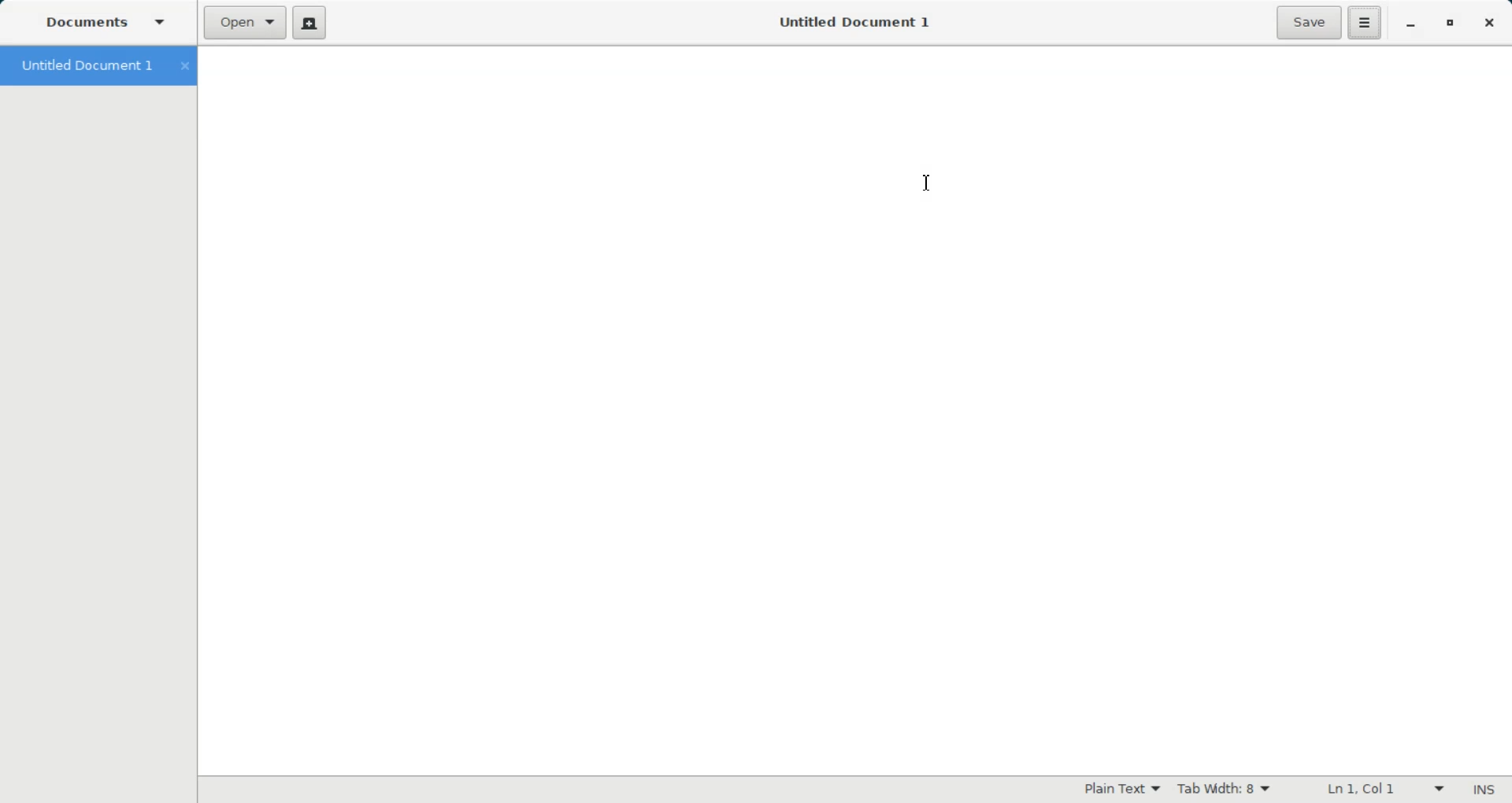 The height and width of the screenshot is (803, 1512). What do you see at coordinates (1488, 24) in the screenshot?
I see `Close` at bounding box center [1488, 24].